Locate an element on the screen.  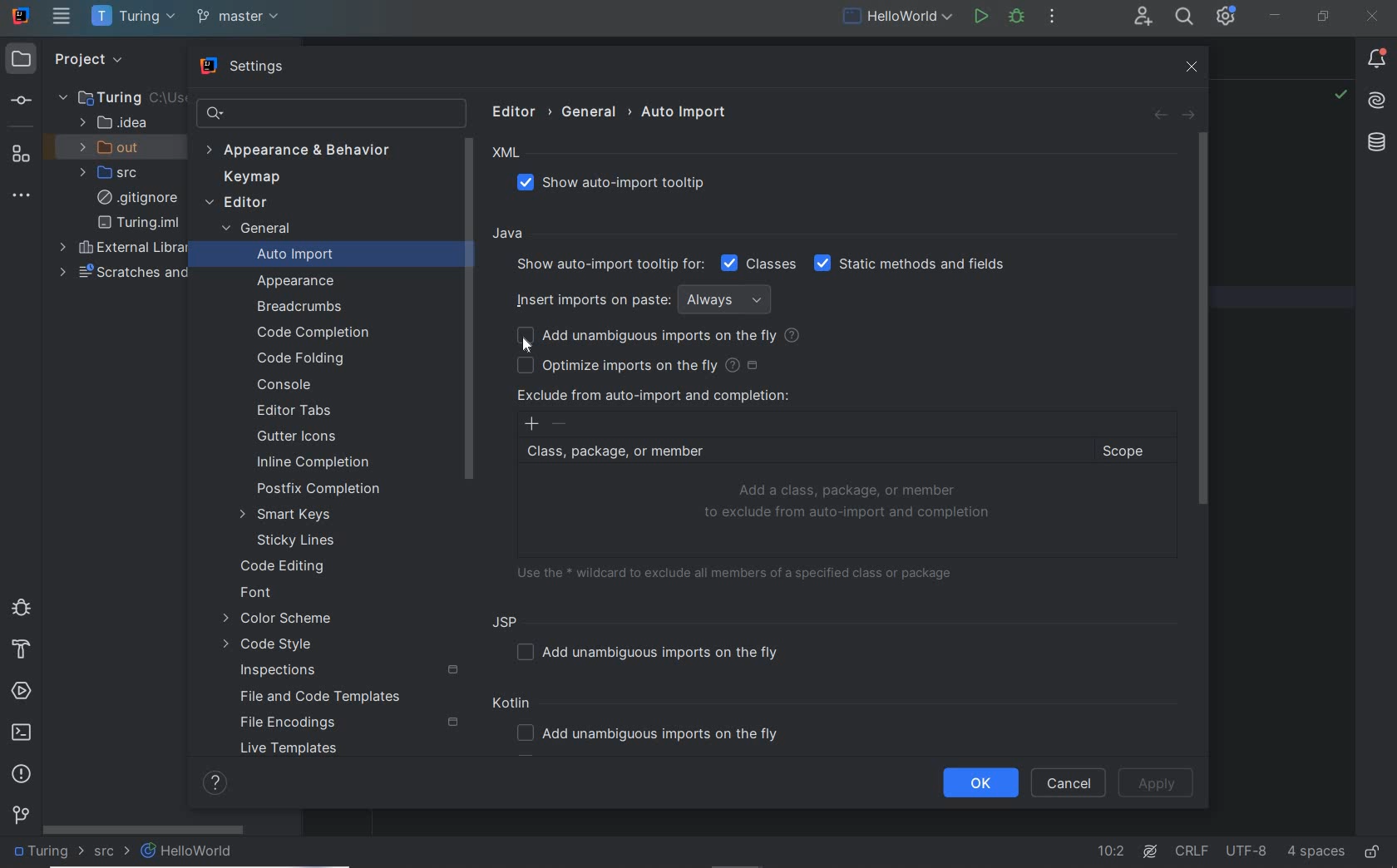
GENERAL is located at coordinates (254, 230).